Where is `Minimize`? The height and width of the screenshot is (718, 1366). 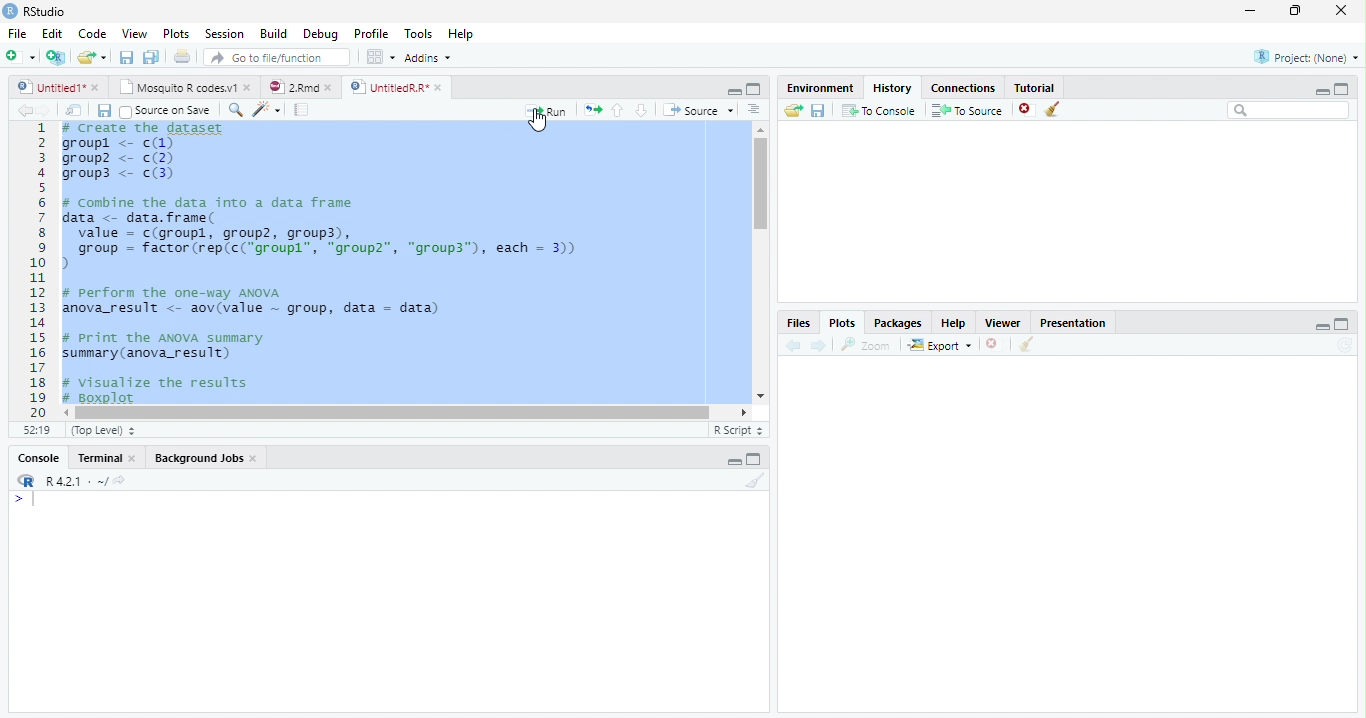
Minimize is located at coordinates (1251, 12).